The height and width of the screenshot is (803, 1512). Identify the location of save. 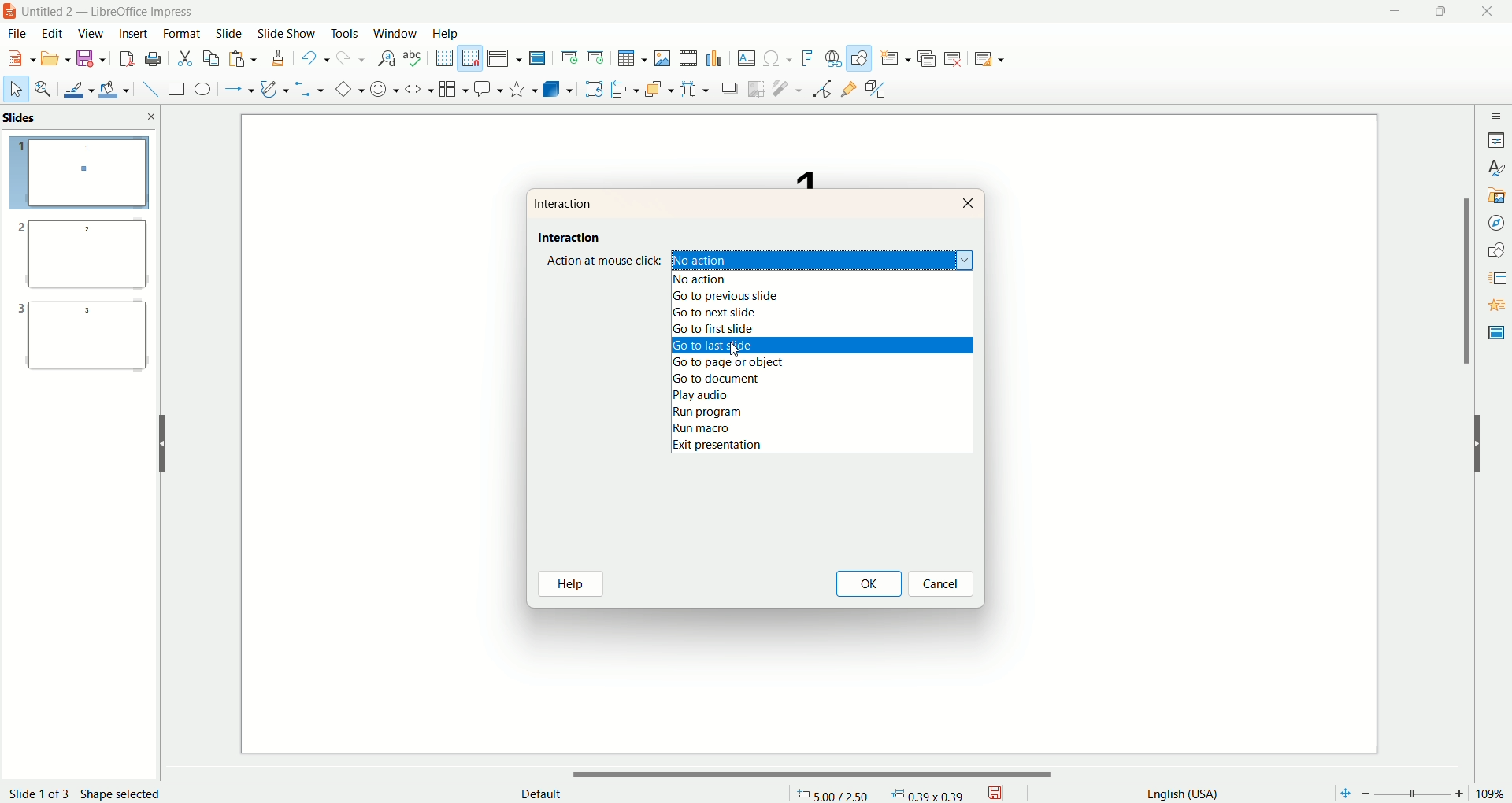
(91, 60).